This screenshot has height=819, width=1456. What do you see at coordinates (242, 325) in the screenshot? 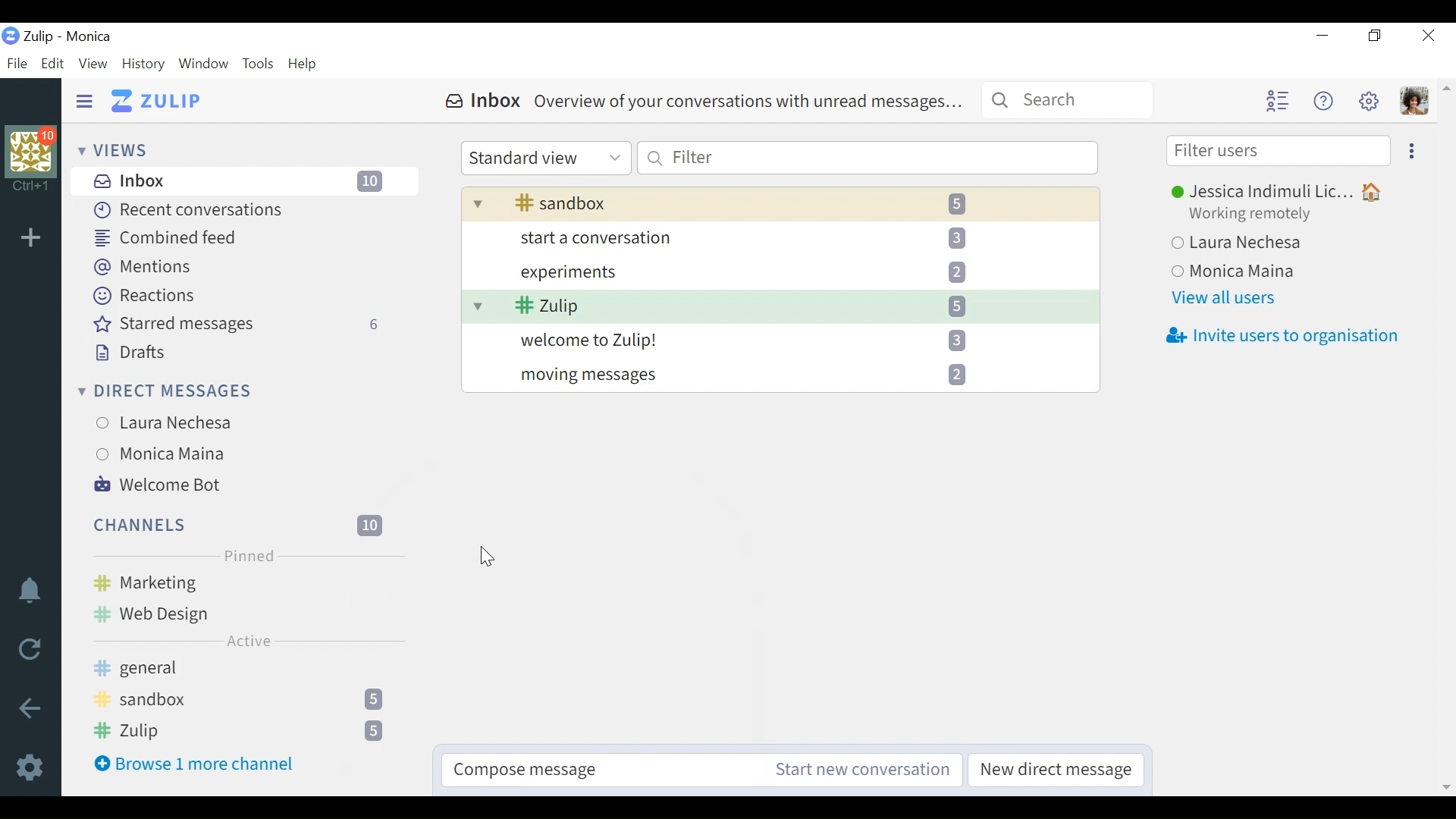
I see `Starred messages 6` at bounding box center [242, 325].